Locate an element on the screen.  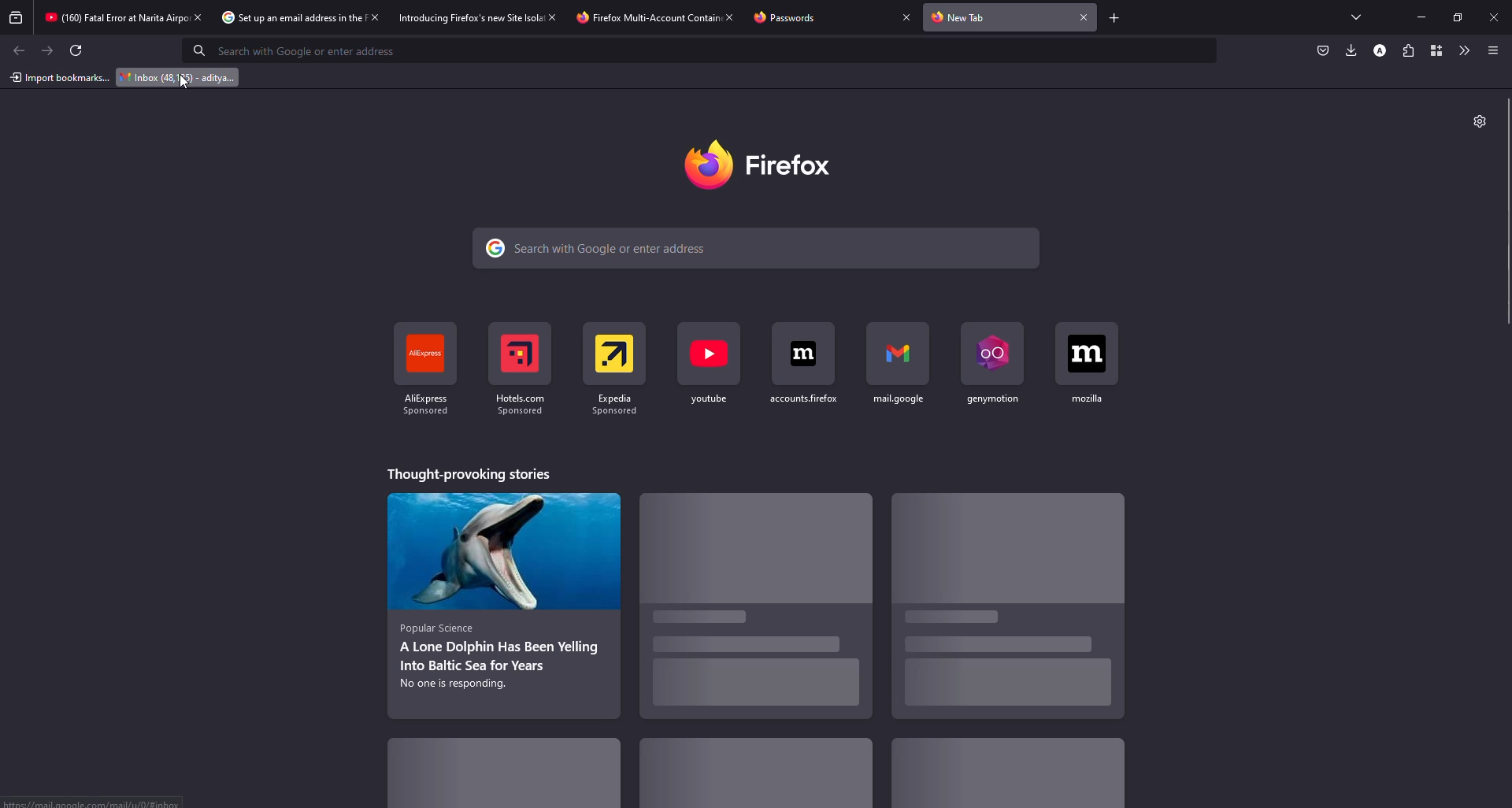
Firefox Multi-Account is located at coordinates (634, 17).